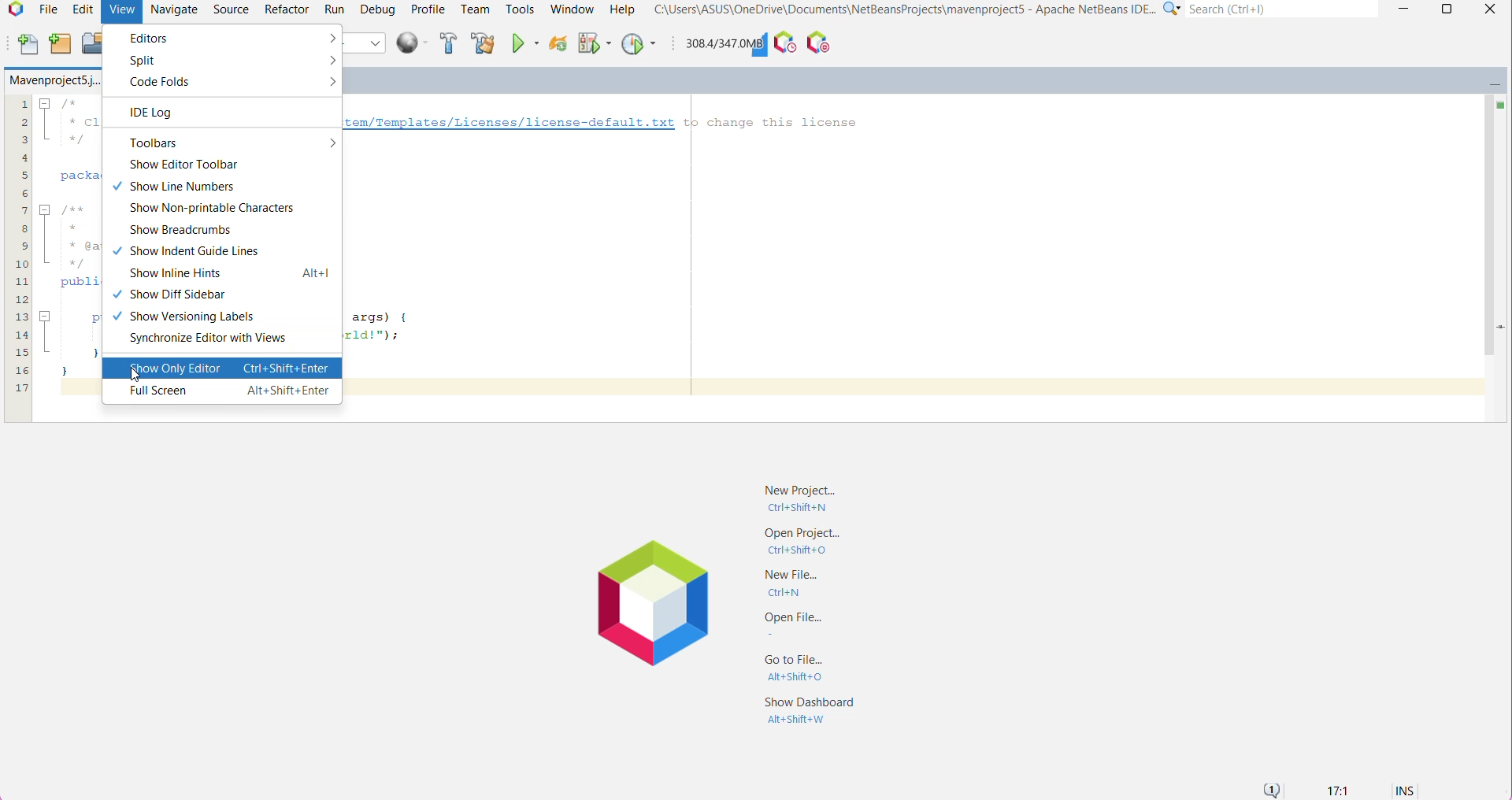 The image size is (1512, 800). I want to click on Show Breadcrumbs, so click(191, 231).